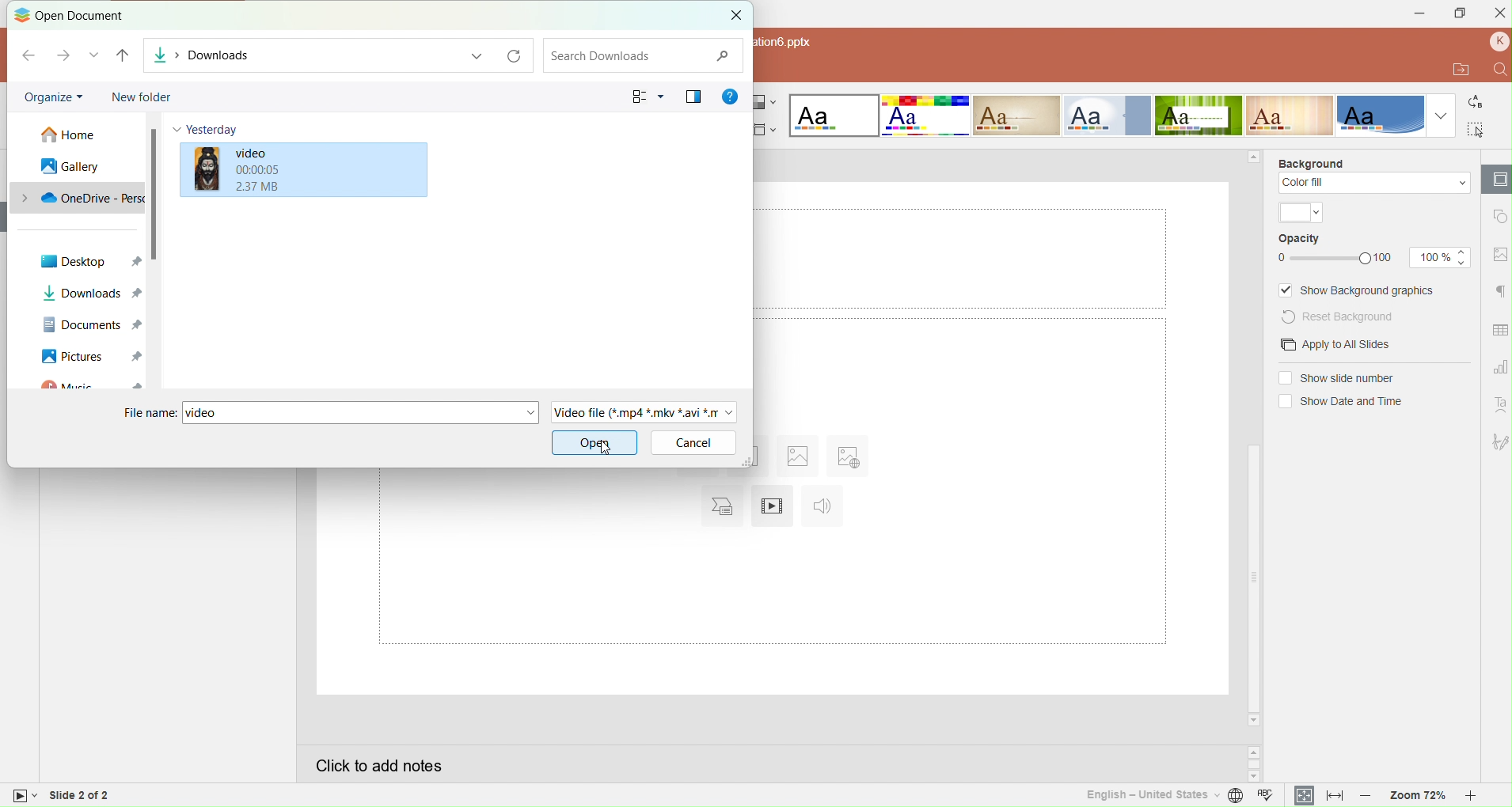 The height and width of the screenshot is (807, 1512). I want to click on Insert image from URL, so click(847, 457).